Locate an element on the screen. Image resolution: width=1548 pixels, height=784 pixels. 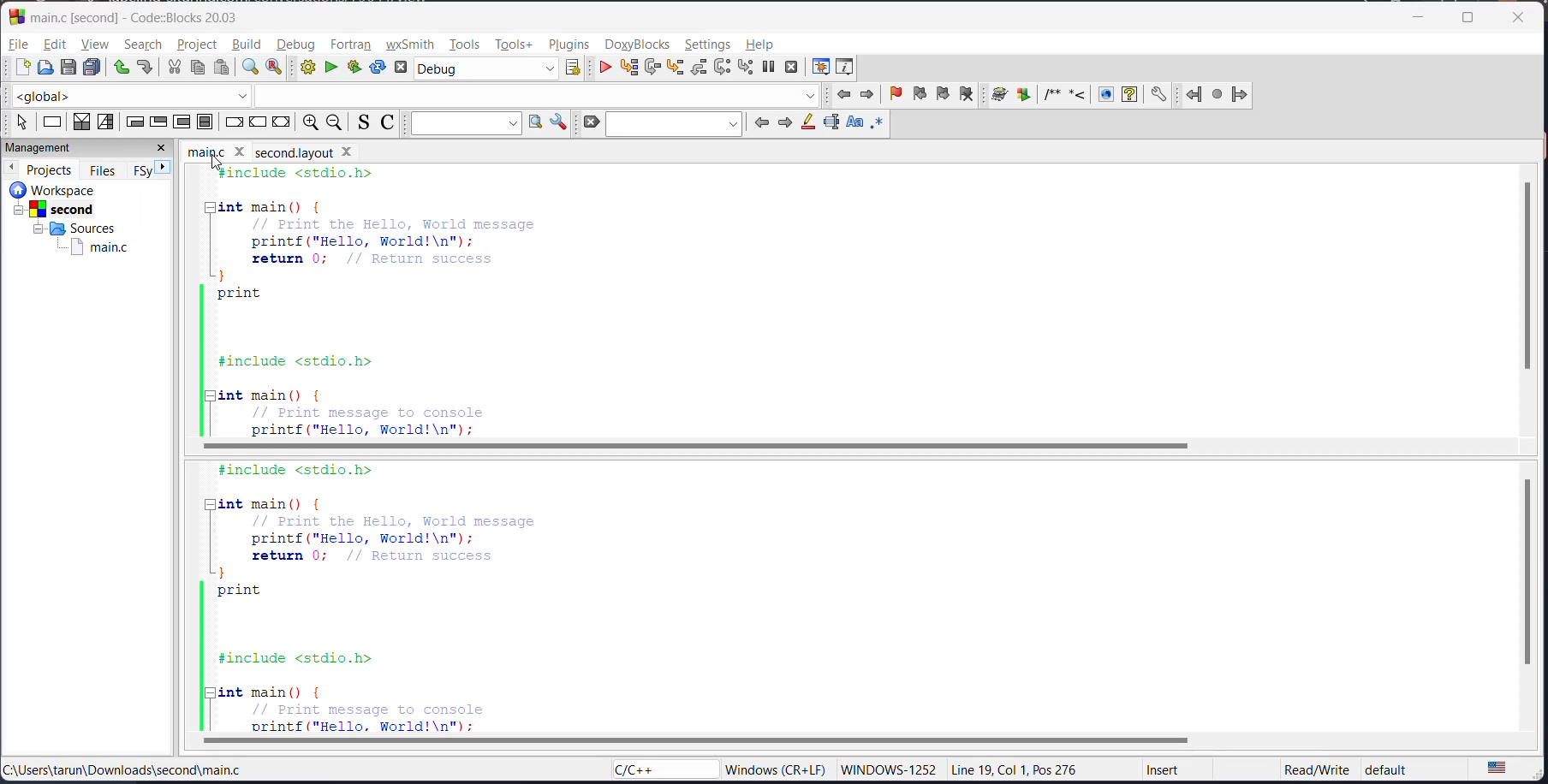
main.c is located at coordinates (95, 247).